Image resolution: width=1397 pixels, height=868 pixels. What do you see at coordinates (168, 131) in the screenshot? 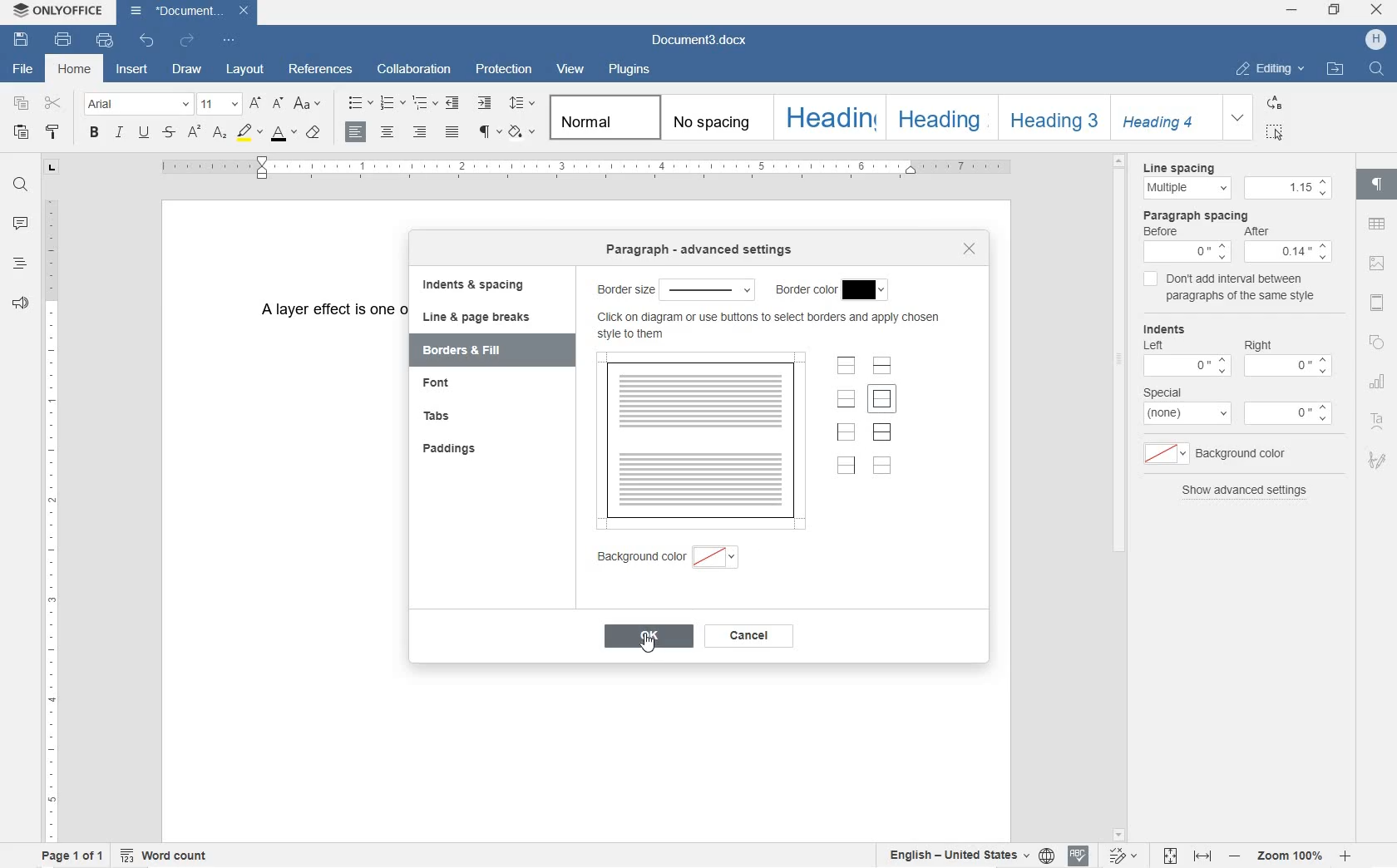
I see `STRIKETHROUGH` at bounding box center [168, 131].